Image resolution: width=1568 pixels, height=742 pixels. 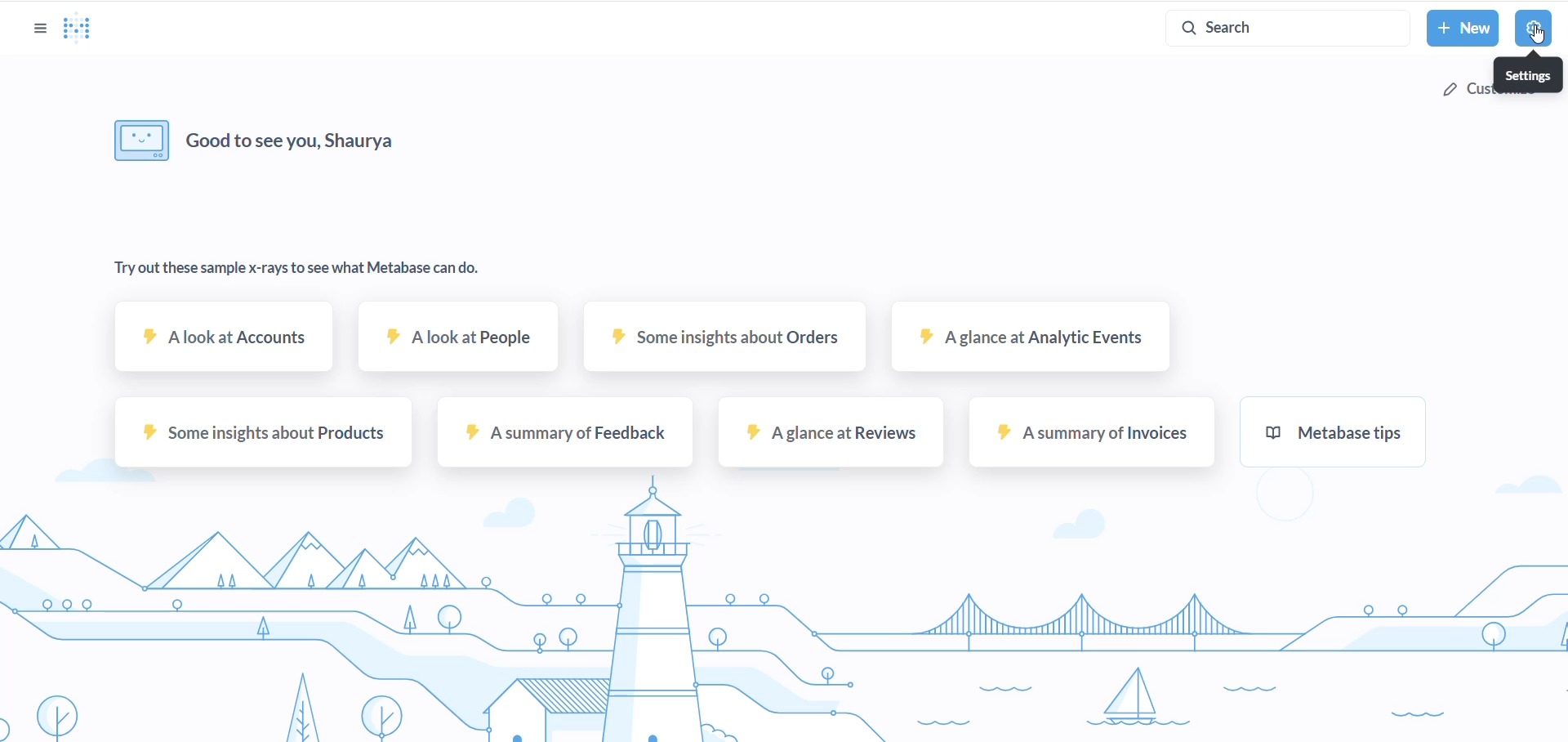 What do you see at coordinates (1533, 26) in the screenshot?
I see `settings` at bounding box center [1533, 26].